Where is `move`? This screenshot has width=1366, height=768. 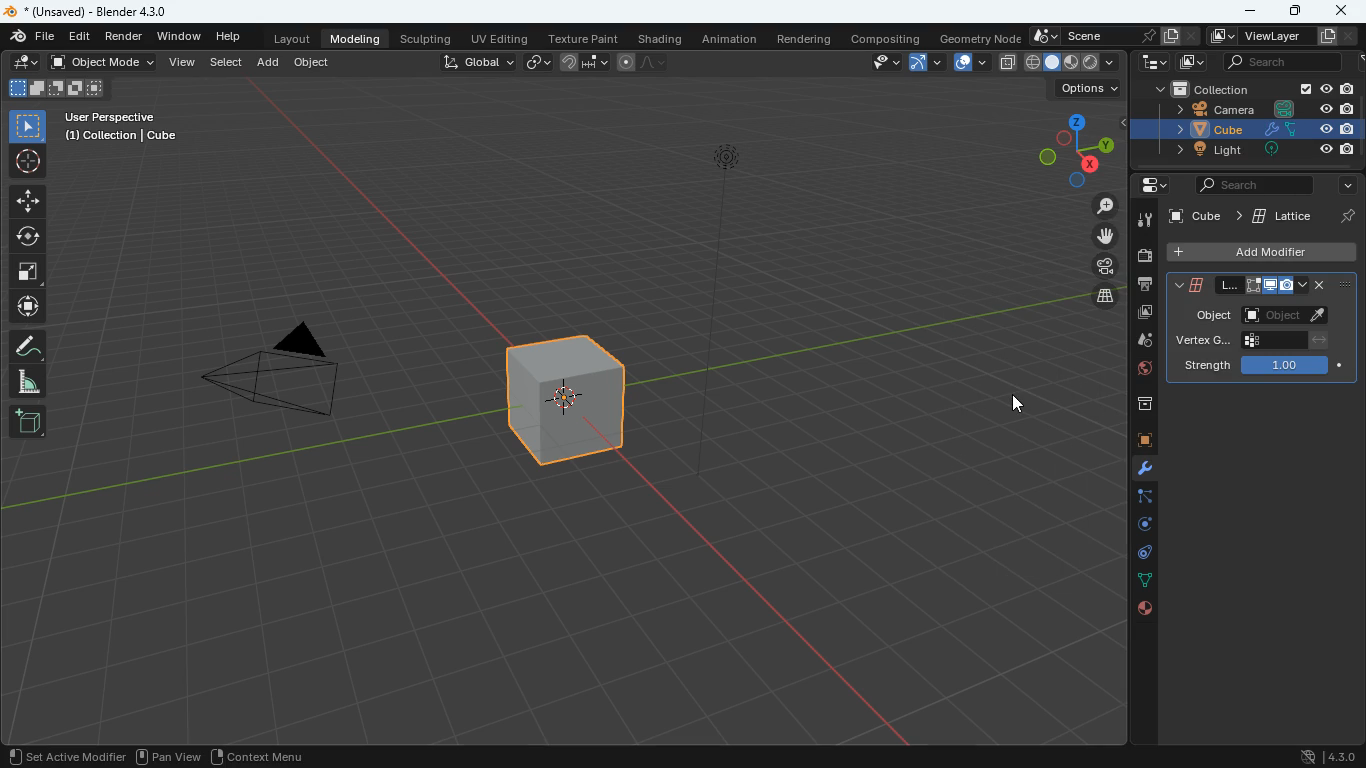
move is located at coordinates (28, 200).